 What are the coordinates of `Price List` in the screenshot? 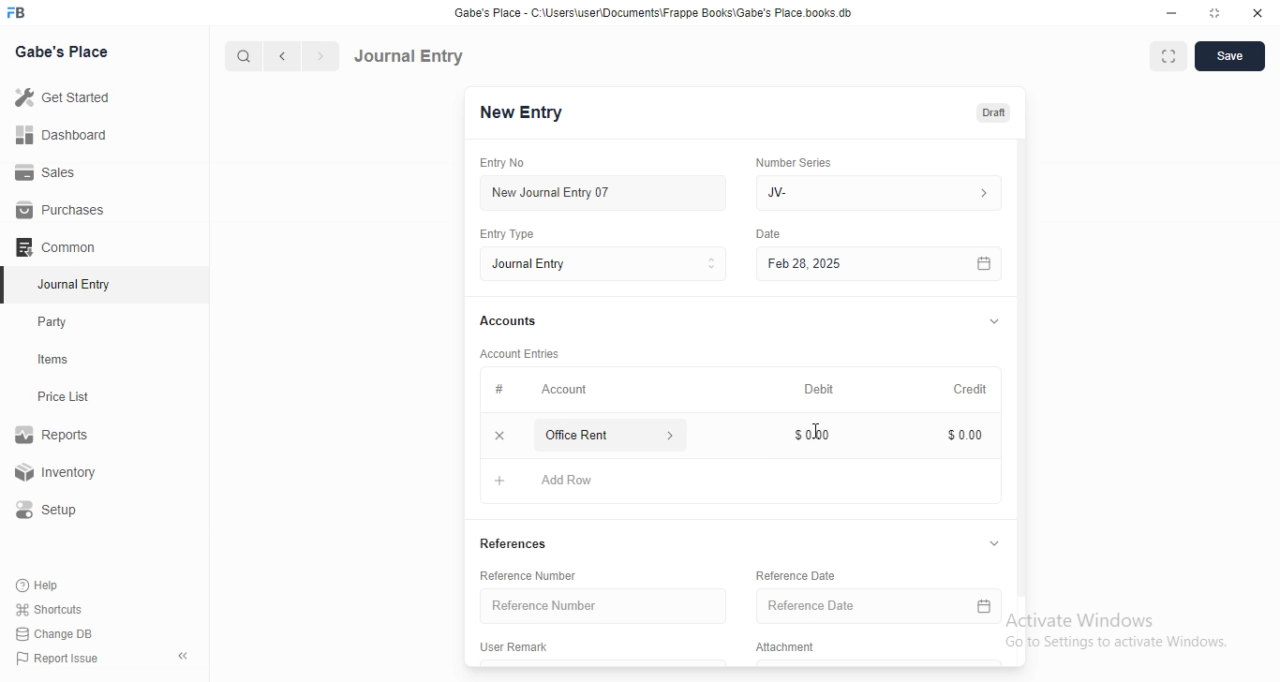 It's located at (62, 397).